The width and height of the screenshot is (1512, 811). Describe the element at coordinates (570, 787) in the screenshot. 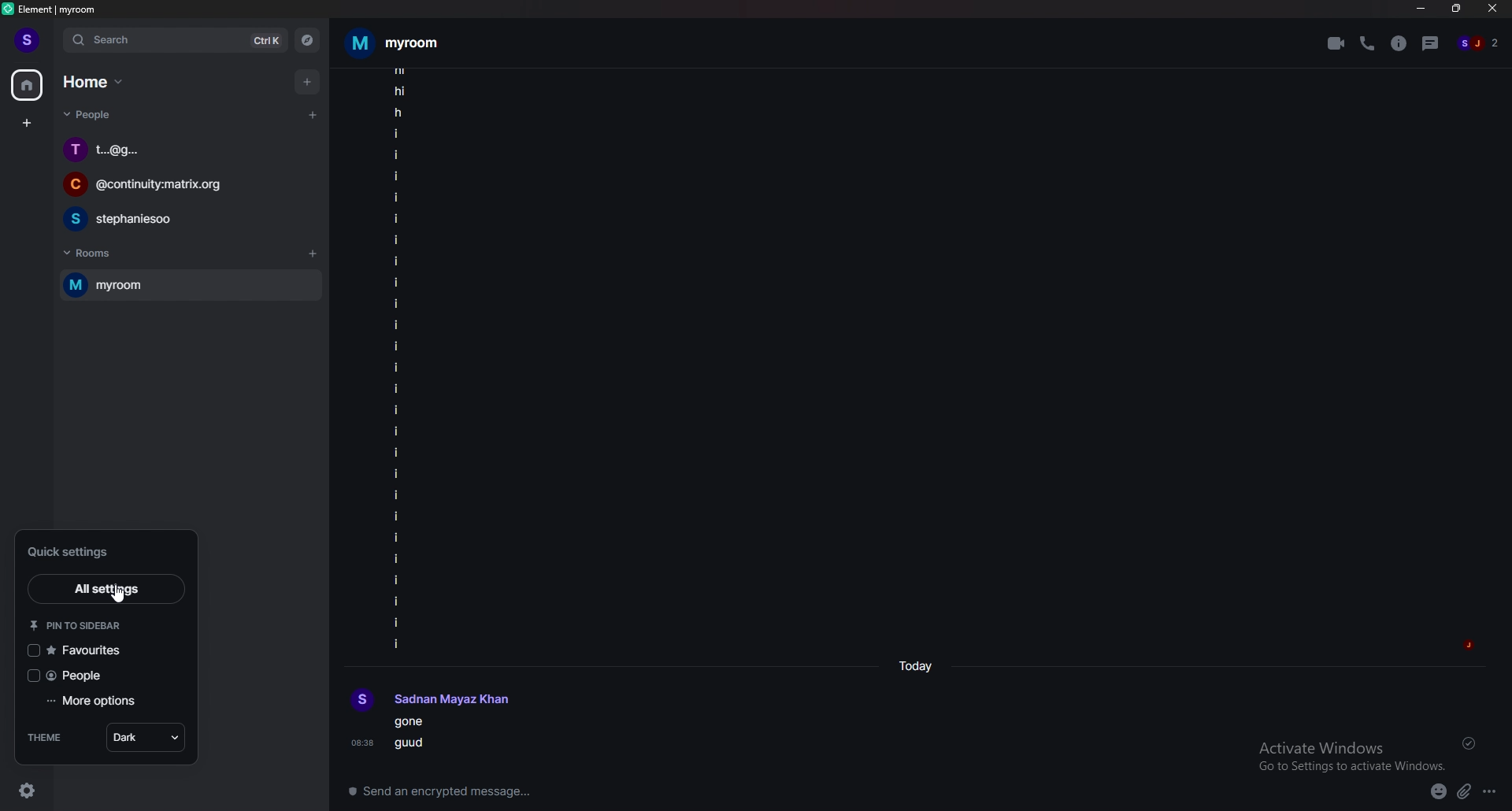

I see `text box` at that location.